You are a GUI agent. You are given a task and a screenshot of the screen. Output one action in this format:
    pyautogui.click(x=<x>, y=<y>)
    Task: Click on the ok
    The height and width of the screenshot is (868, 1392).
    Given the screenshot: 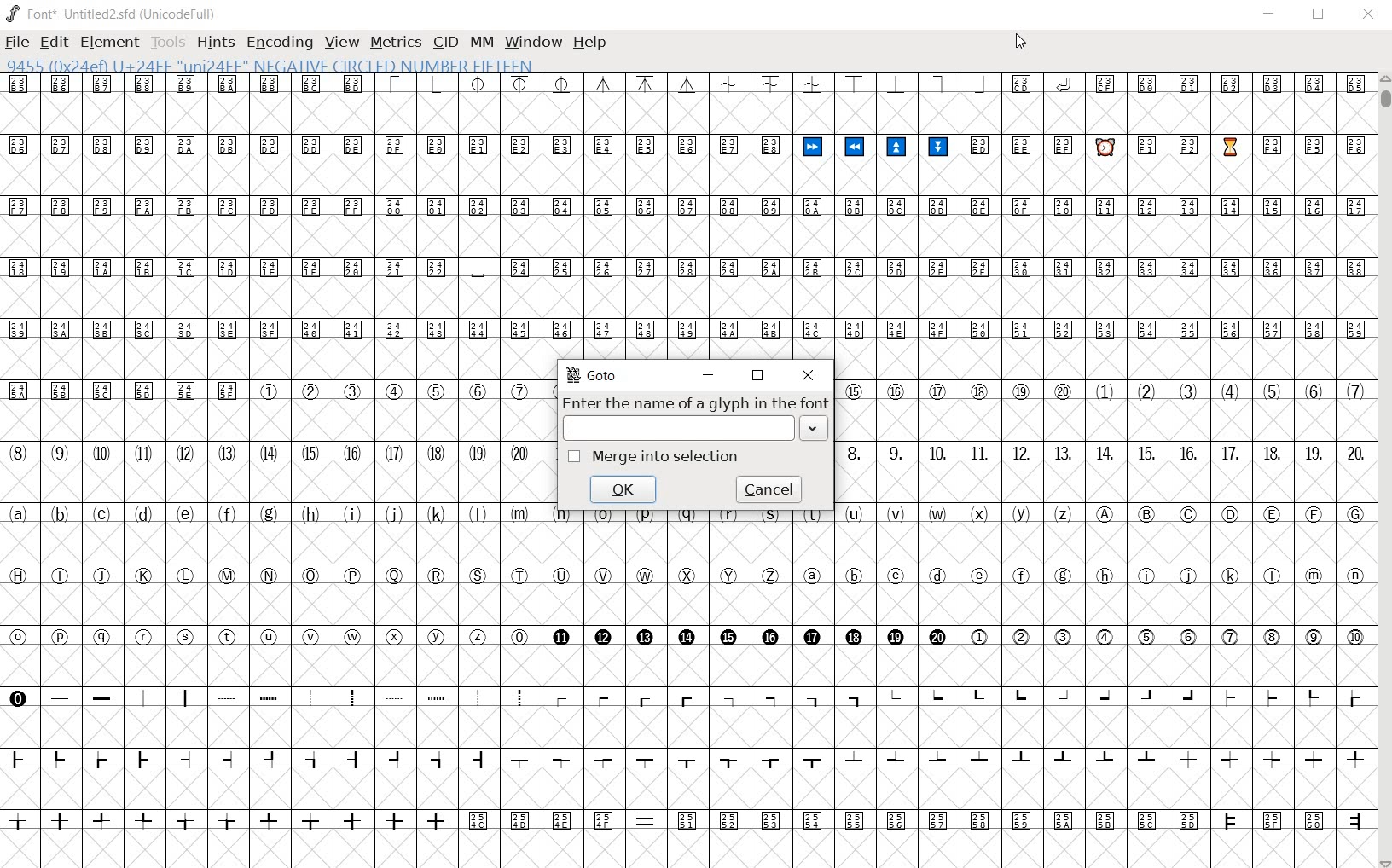 What is the action you would take?
    pyautogui.click(x=623, y=488)
    